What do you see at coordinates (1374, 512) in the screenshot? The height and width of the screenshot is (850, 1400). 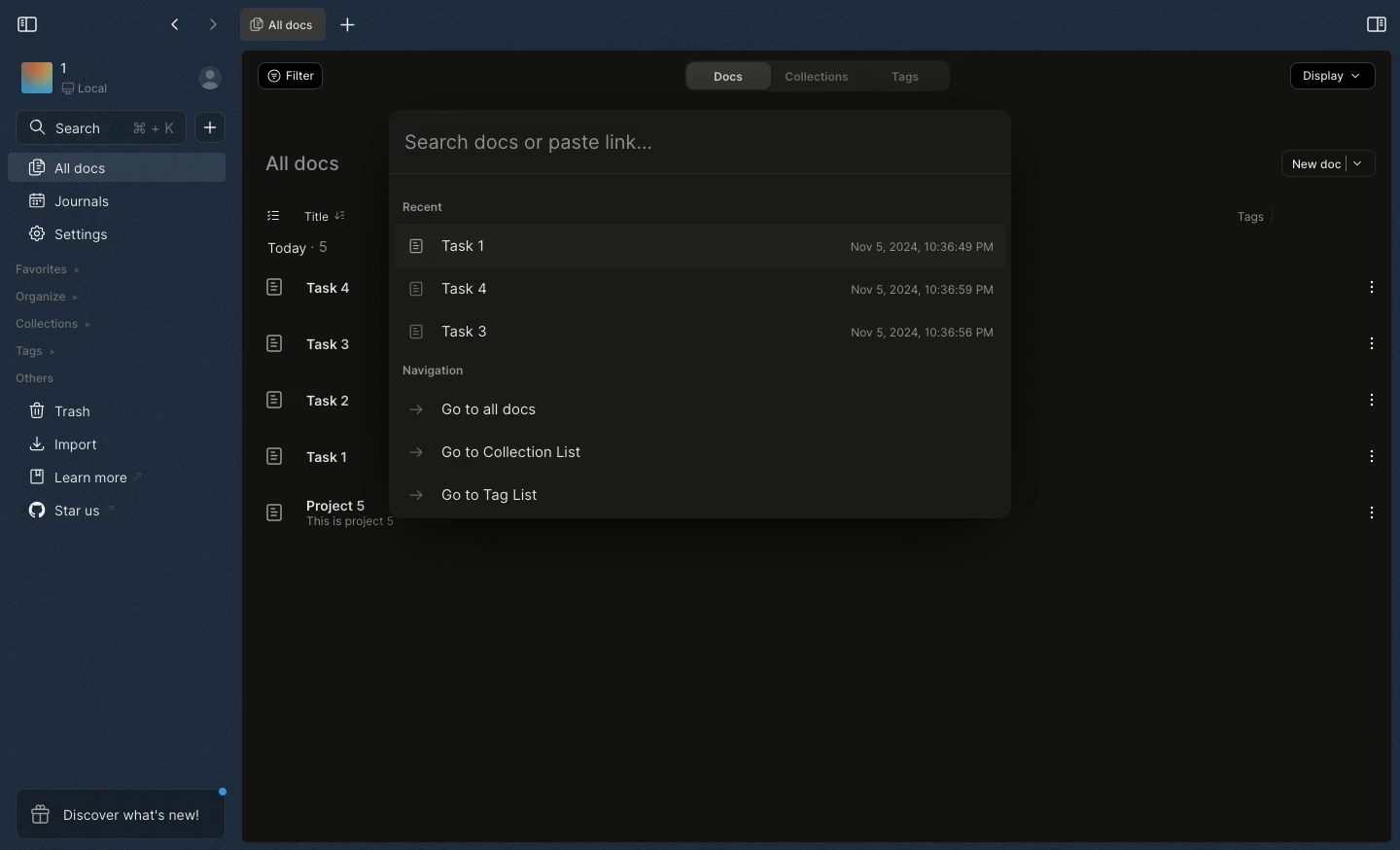 I see `Options` at bounding box center [1374, 512].